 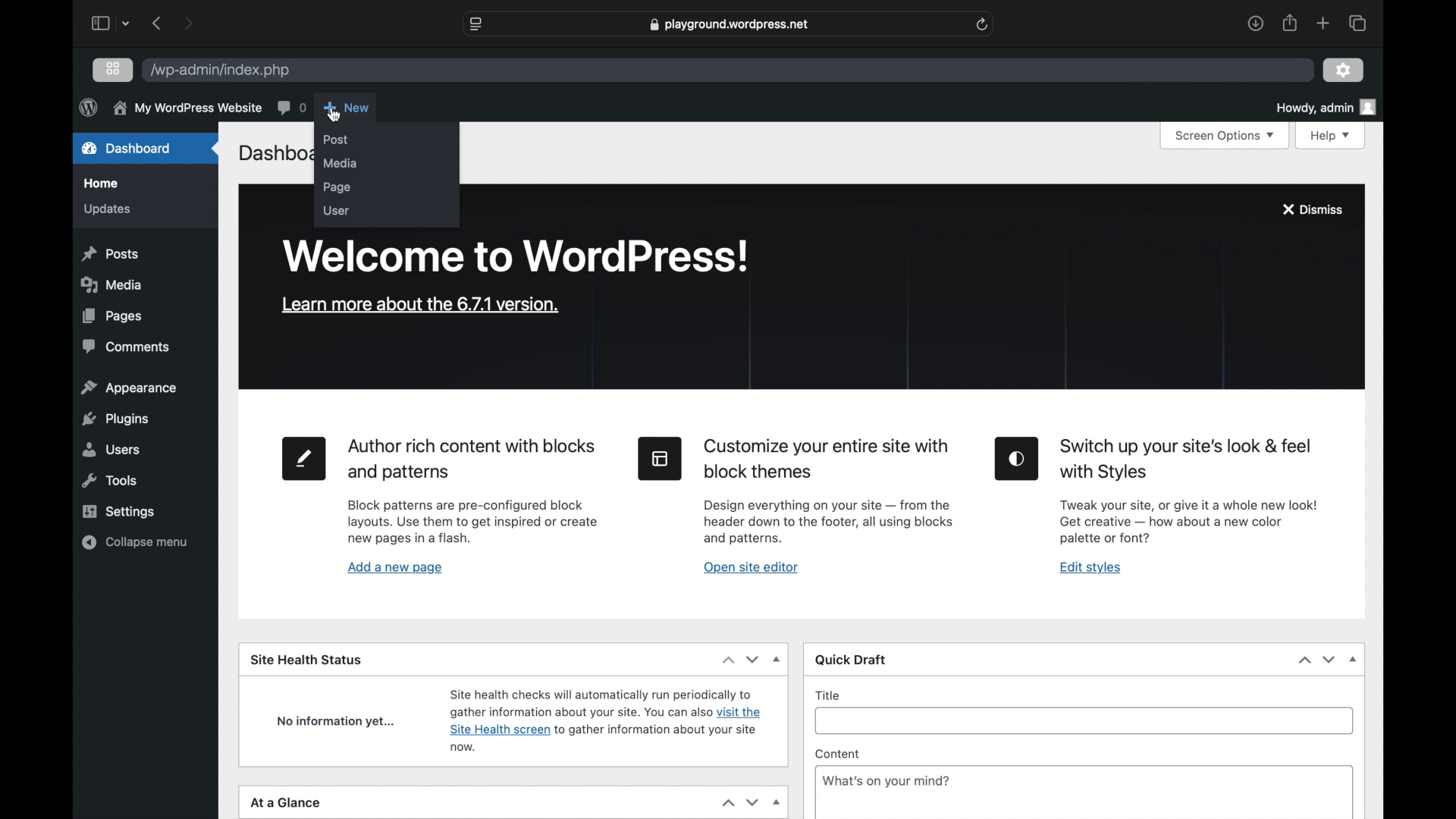 I want to click on home, so click(x=102, y=184).